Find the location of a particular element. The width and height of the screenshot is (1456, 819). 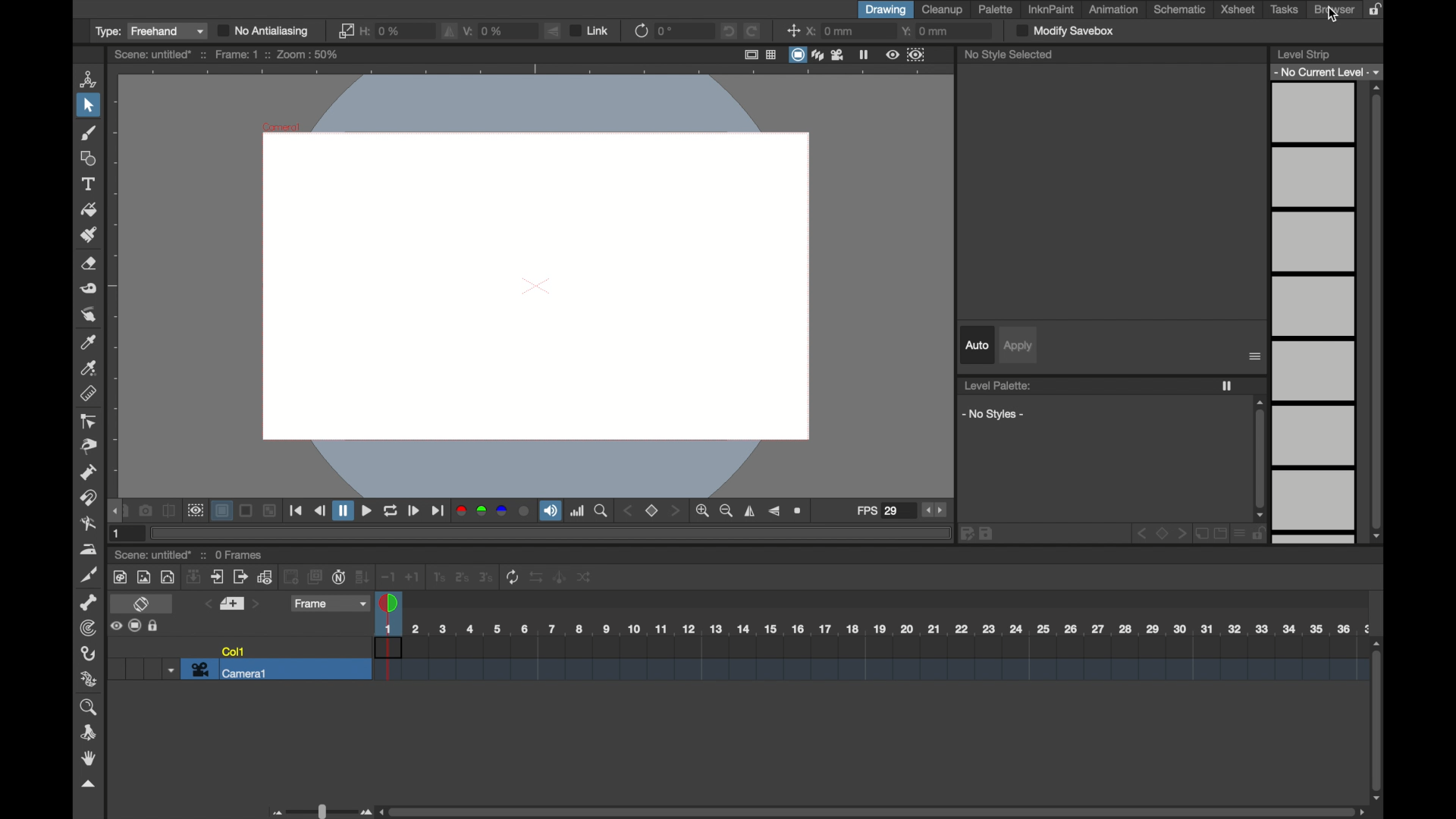

scene scale is located at coordinates (873, 629).